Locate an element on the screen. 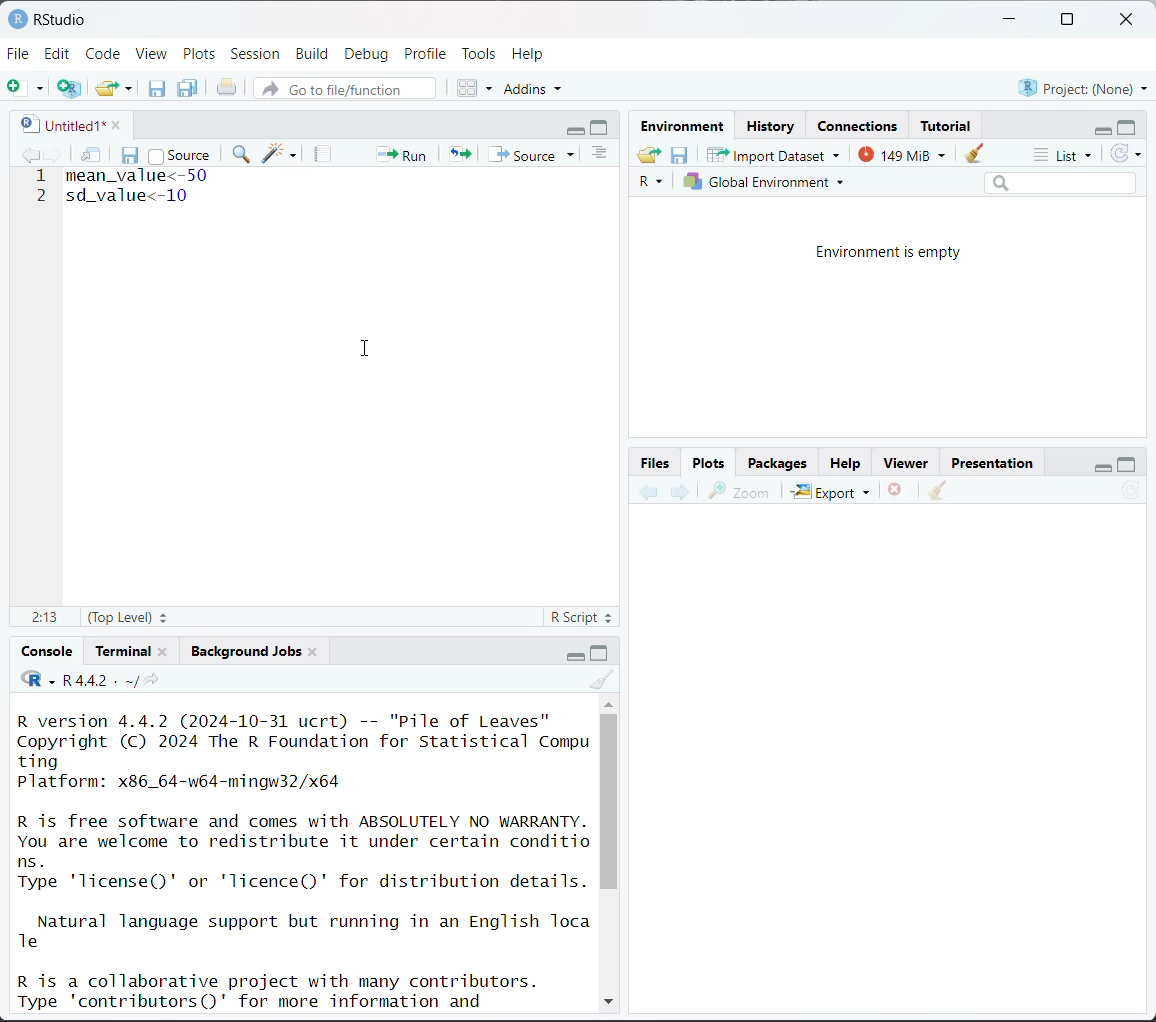  new file is located at coordinates (25, 88).